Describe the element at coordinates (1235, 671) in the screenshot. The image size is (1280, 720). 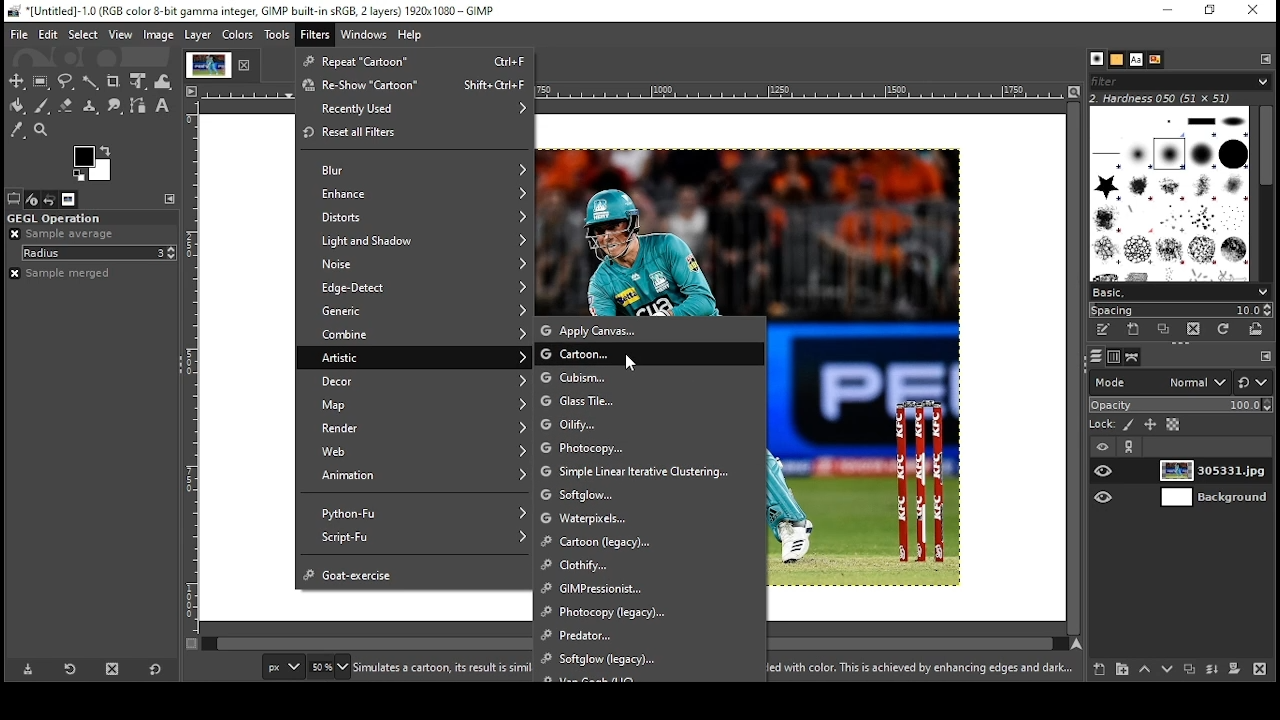
I see `add mask` at that location.